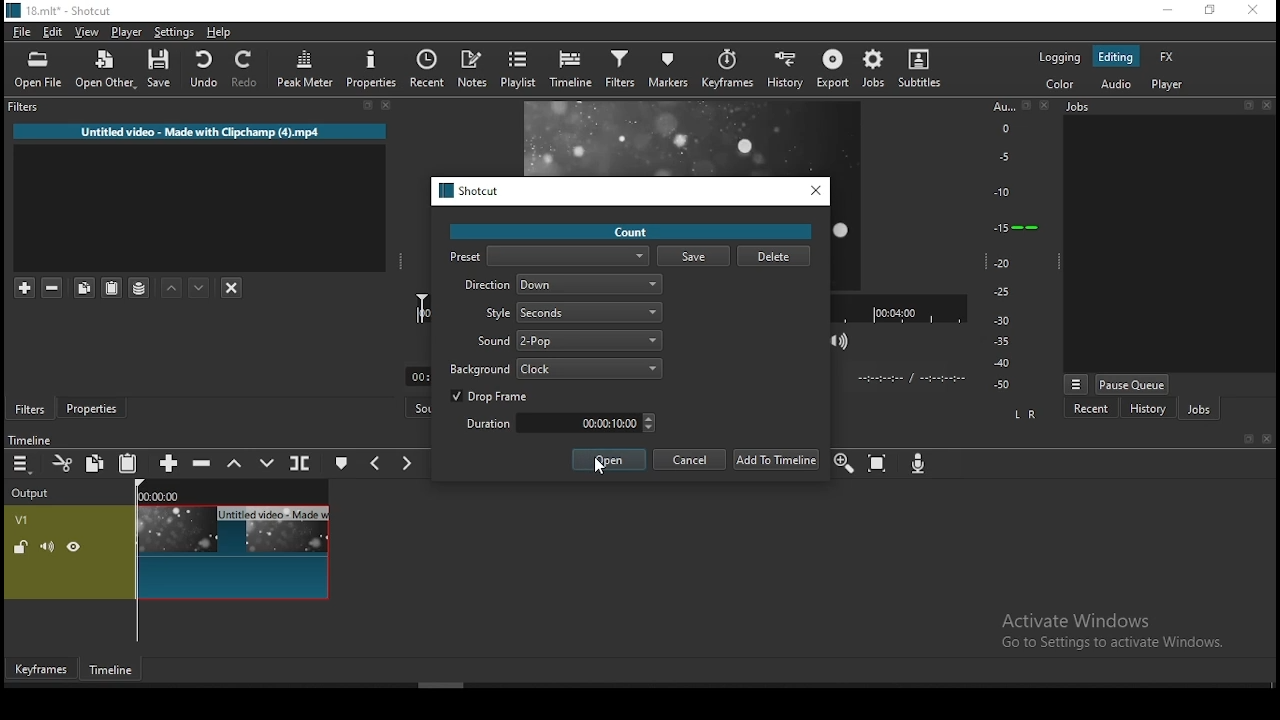  I want to click on Timeline, so click(109, 669).